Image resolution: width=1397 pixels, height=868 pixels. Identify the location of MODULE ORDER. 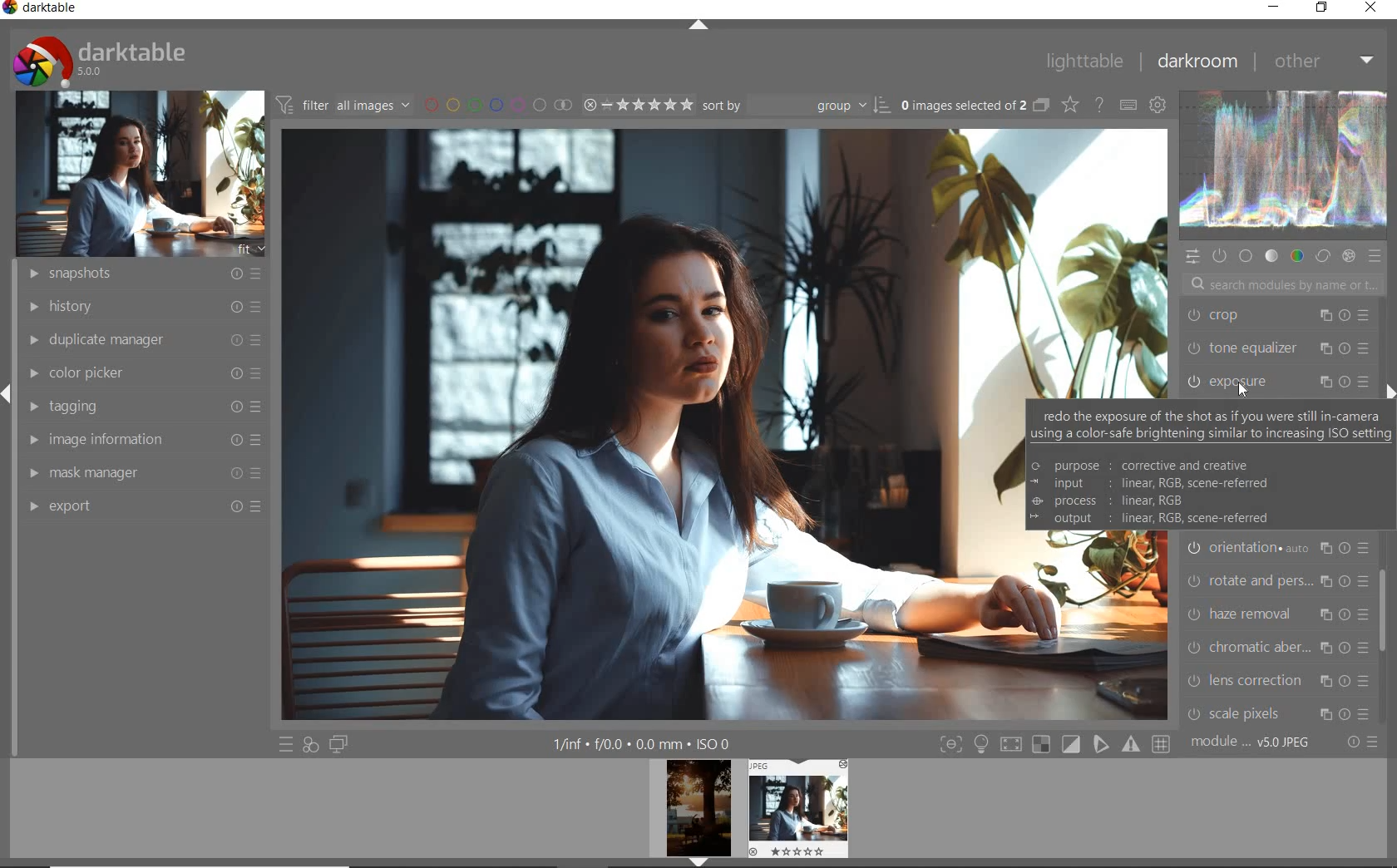
(1251, 743).